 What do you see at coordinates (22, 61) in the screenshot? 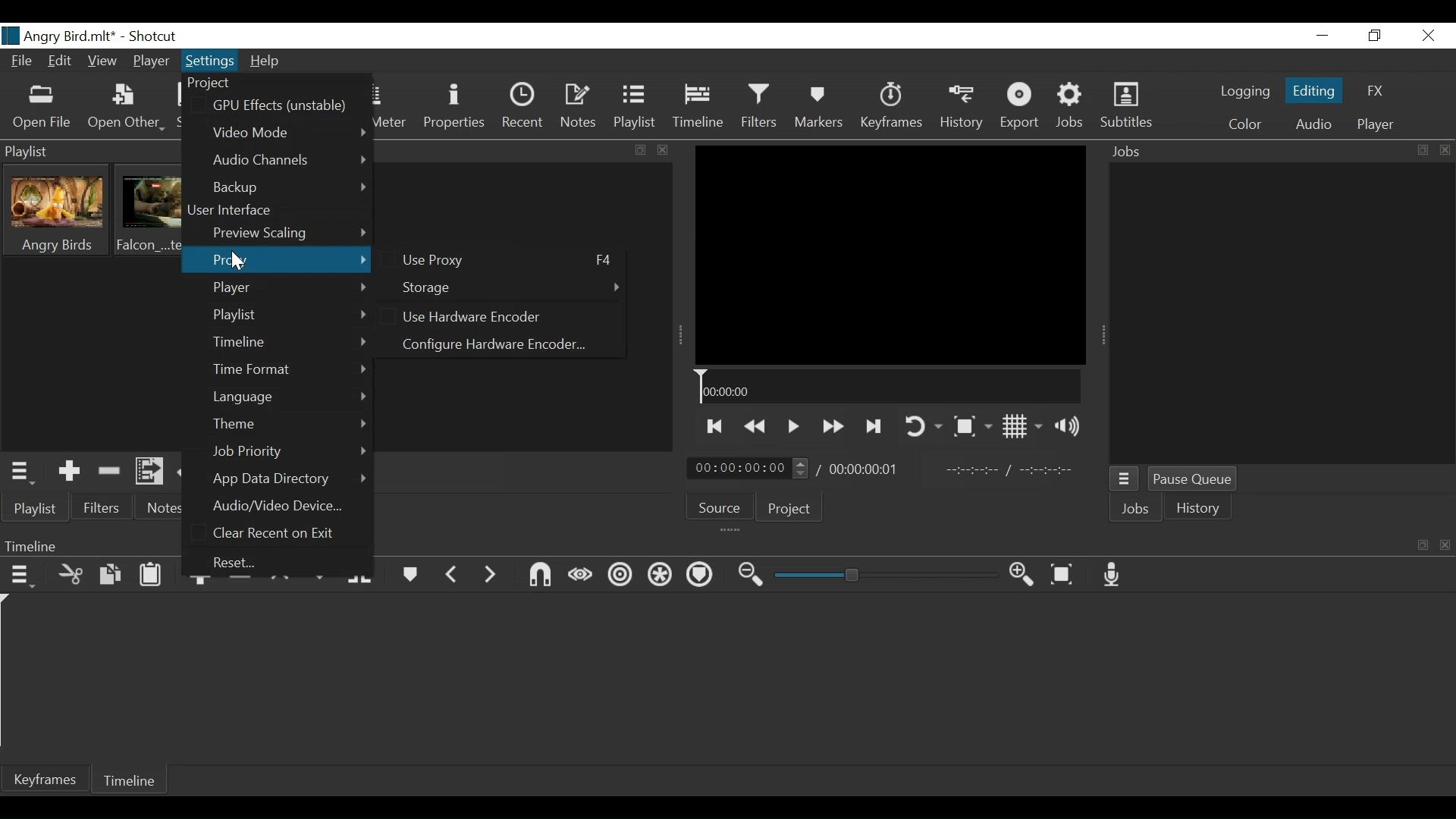
I see `File` at bounding box center [22, 61].